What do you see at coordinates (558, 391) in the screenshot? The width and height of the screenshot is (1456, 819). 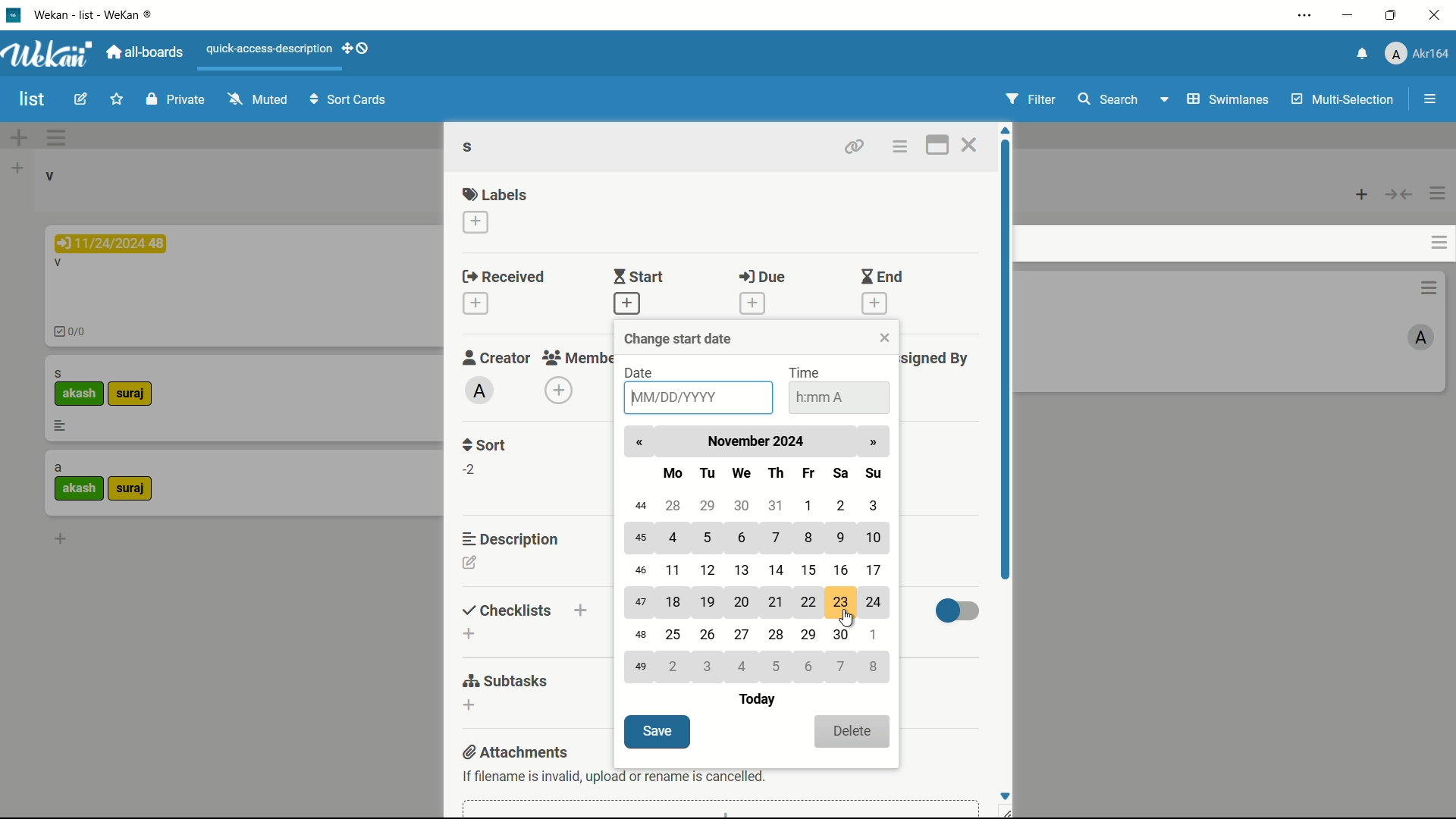 I see `add member` at bounding box center [558, 391].